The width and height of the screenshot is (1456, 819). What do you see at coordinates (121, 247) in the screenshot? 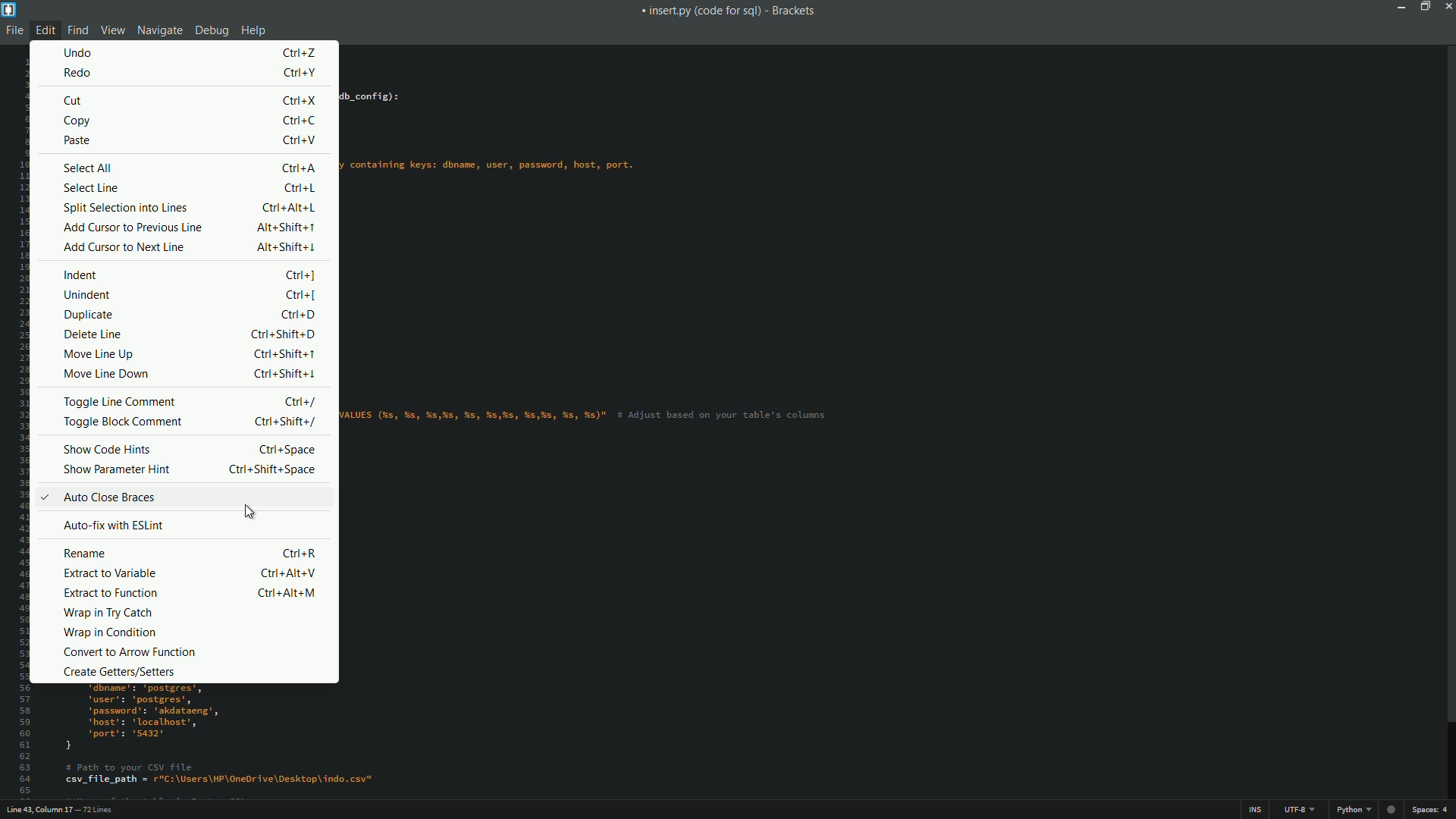
I see `add cursor to next line` at bounding box center [121, 247].